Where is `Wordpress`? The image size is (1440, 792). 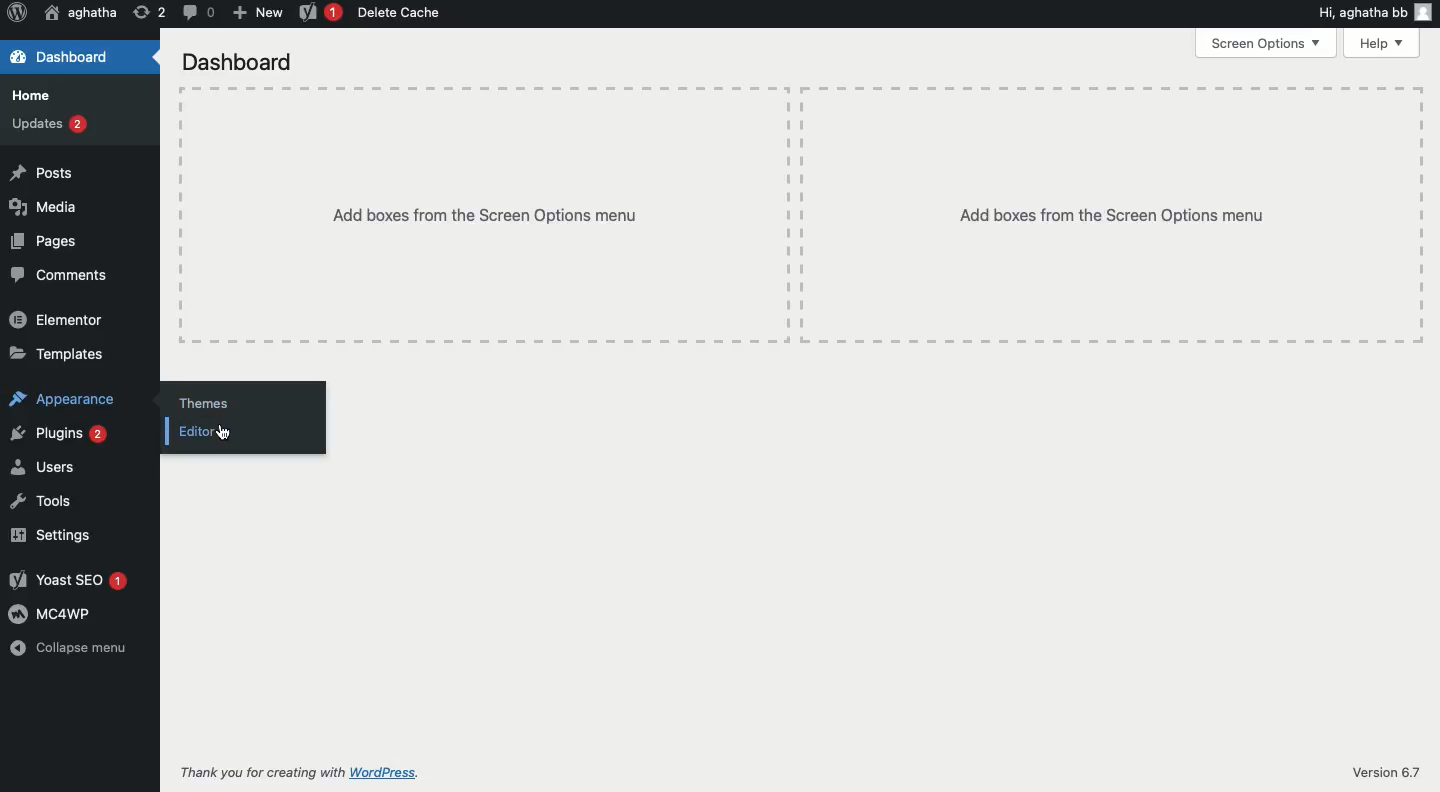 Wordpress is located at coordinates (15, 11).